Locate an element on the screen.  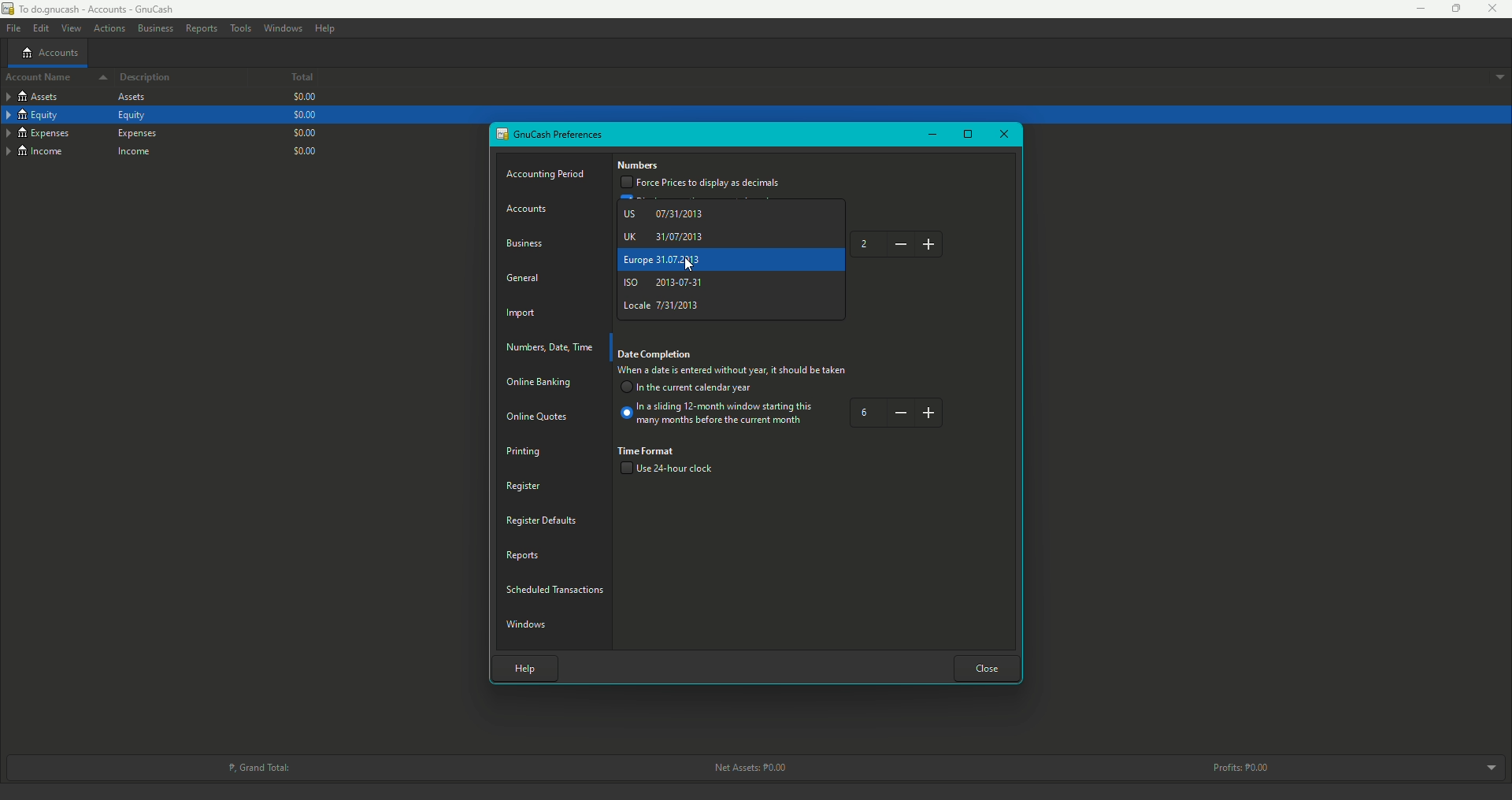
Numbers is located at coordinates (639, 166).